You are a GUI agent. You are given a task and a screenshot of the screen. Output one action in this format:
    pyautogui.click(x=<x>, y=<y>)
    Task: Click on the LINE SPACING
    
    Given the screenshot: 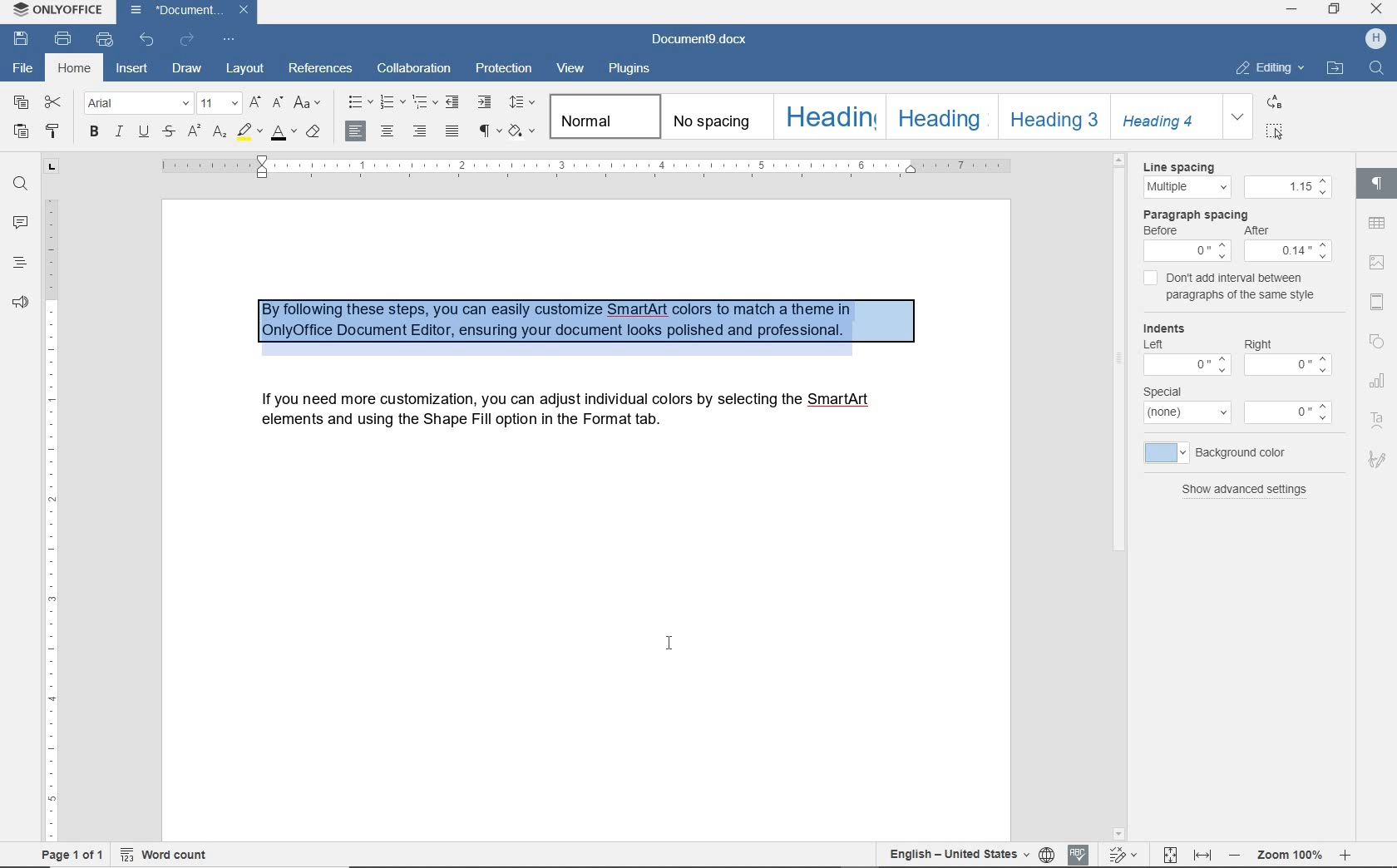 What is the action you would take?
    pyautogui.click(x=1182, y=164)
    